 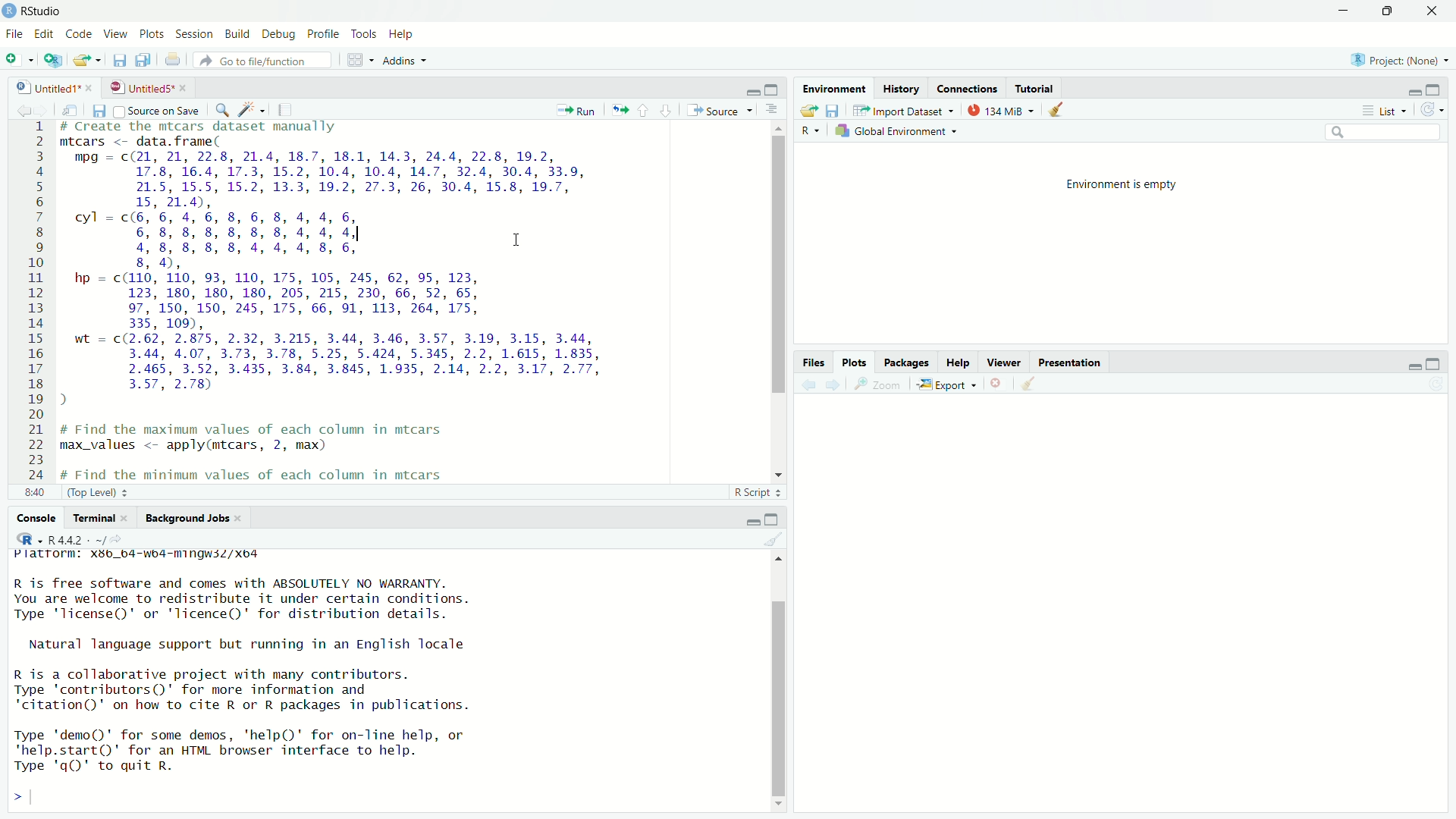 What do you see at coordinates (754, 491) in the screenshot?
I see `R Script ` at bounding box center [754, 491].